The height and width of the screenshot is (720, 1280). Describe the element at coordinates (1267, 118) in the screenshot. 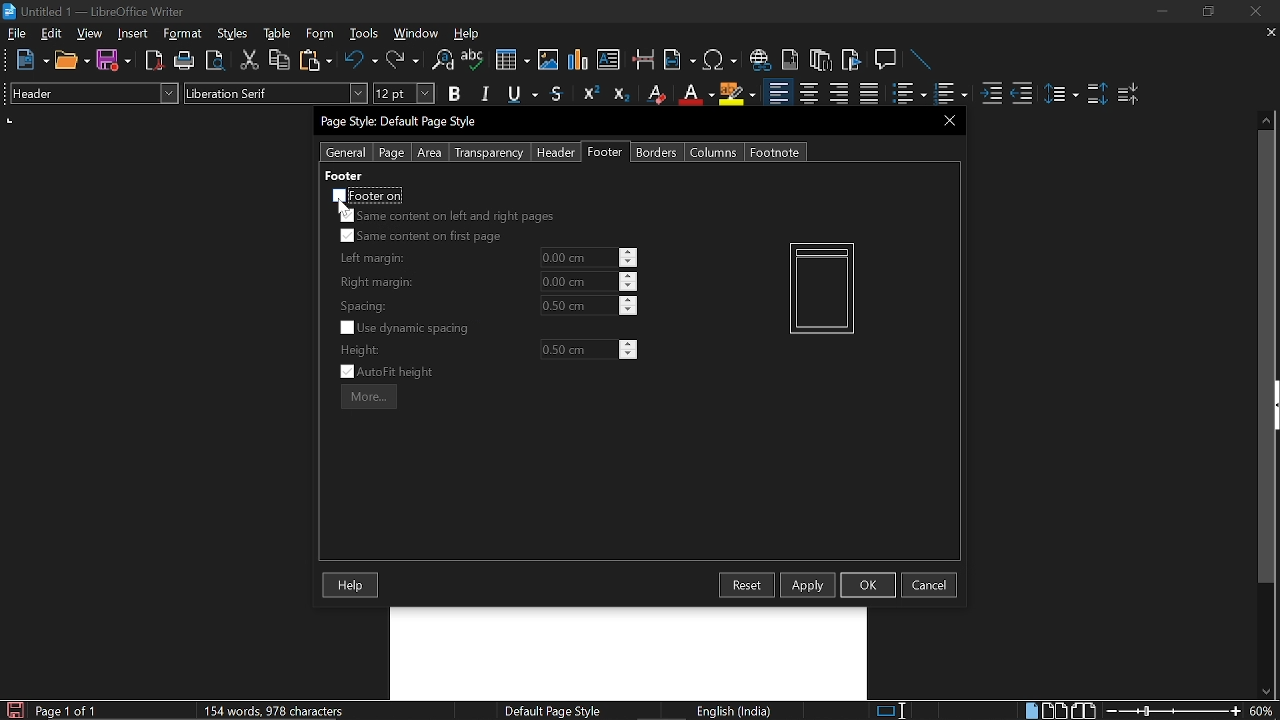

I see `Move up` at that location.